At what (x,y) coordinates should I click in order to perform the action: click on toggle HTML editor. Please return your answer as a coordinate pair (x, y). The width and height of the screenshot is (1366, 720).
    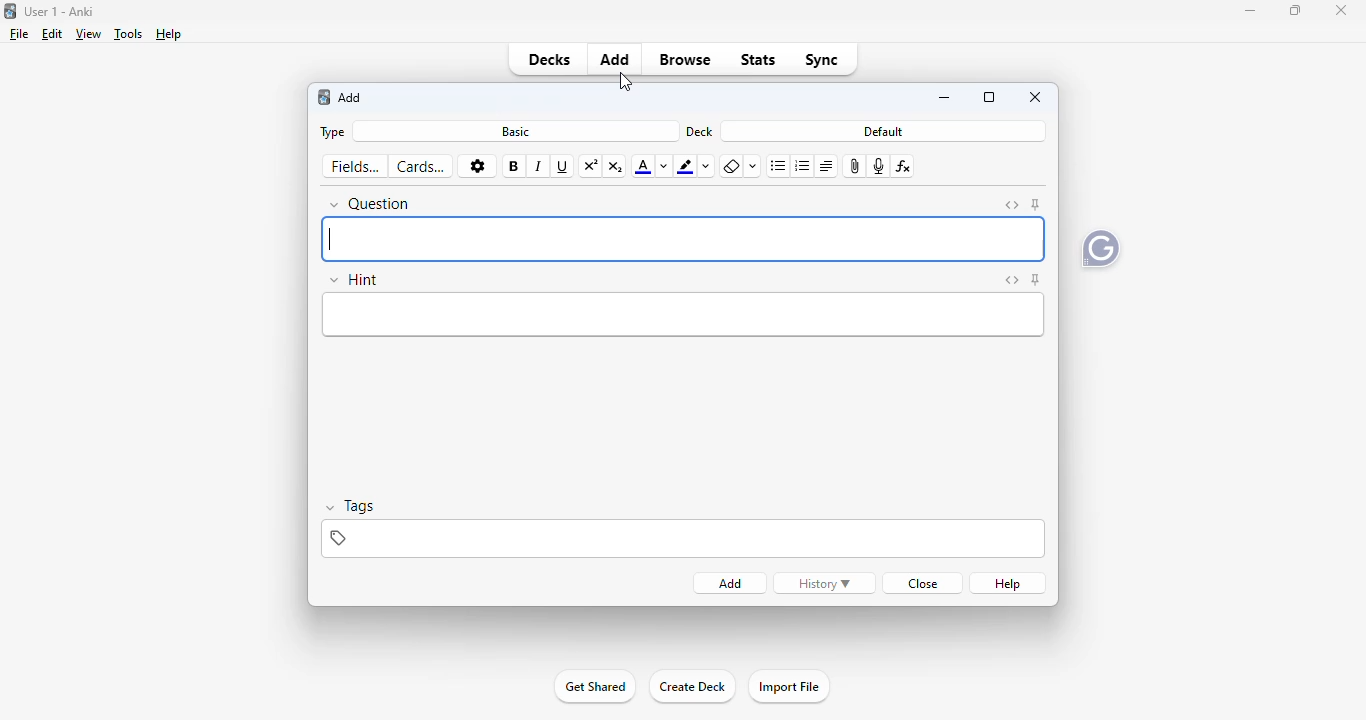
    Looking at the image, I should click on (1013, 280).